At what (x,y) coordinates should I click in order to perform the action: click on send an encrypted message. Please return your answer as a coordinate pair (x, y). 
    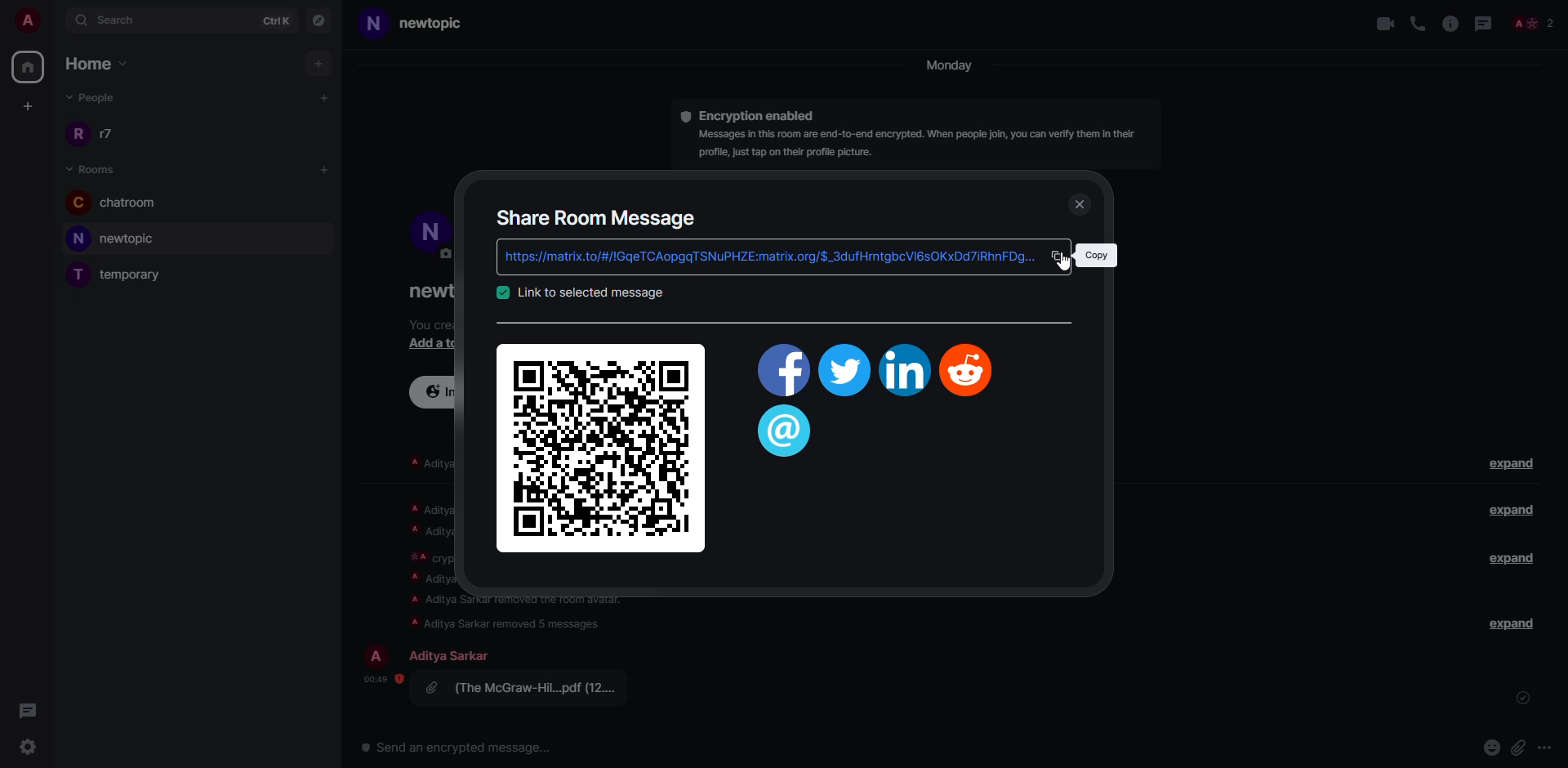
    Looking at the image, I should click on (458, 749).